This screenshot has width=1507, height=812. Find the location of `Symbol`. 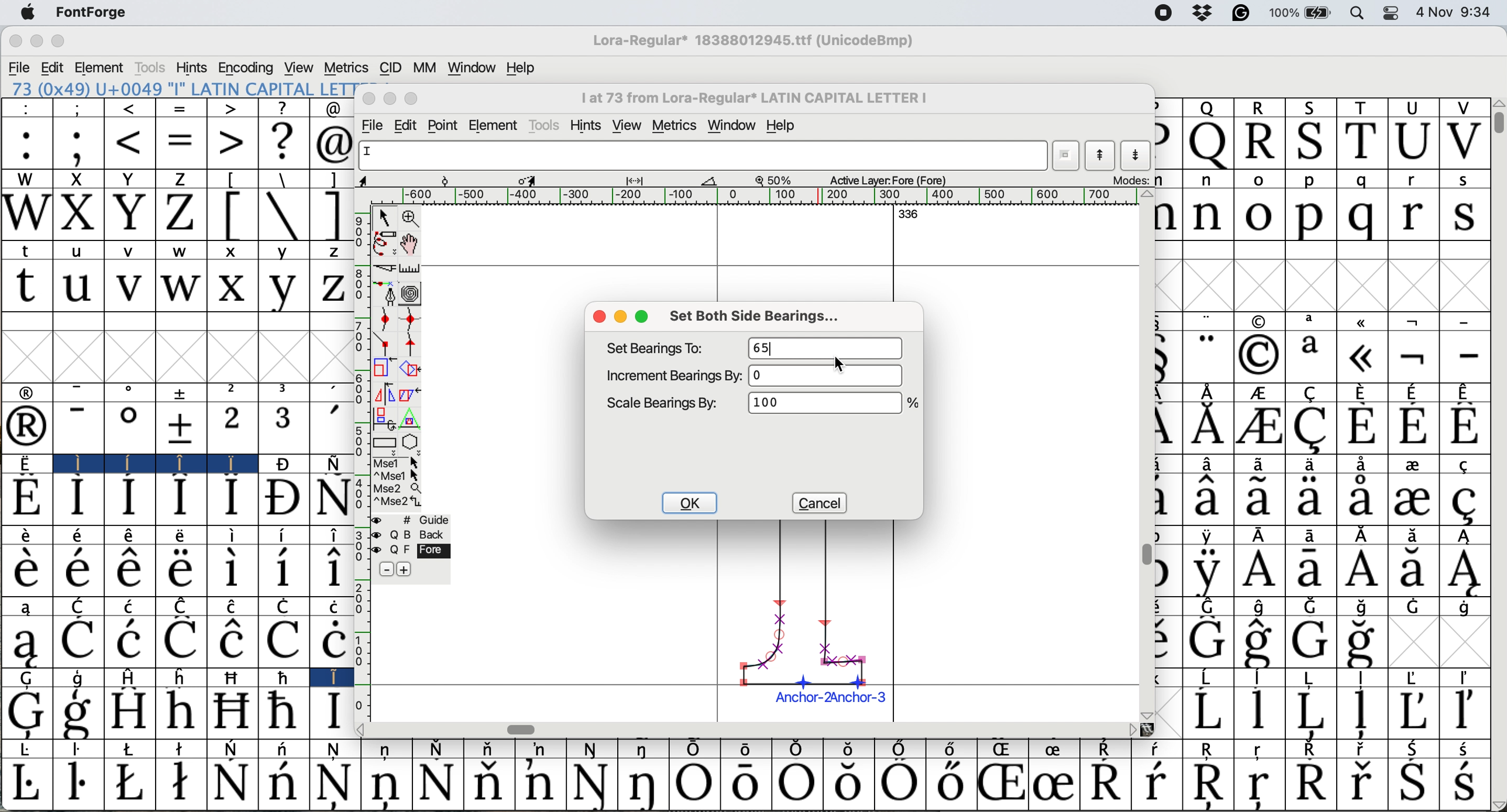

Symbol is located at coordinates (282, 570).